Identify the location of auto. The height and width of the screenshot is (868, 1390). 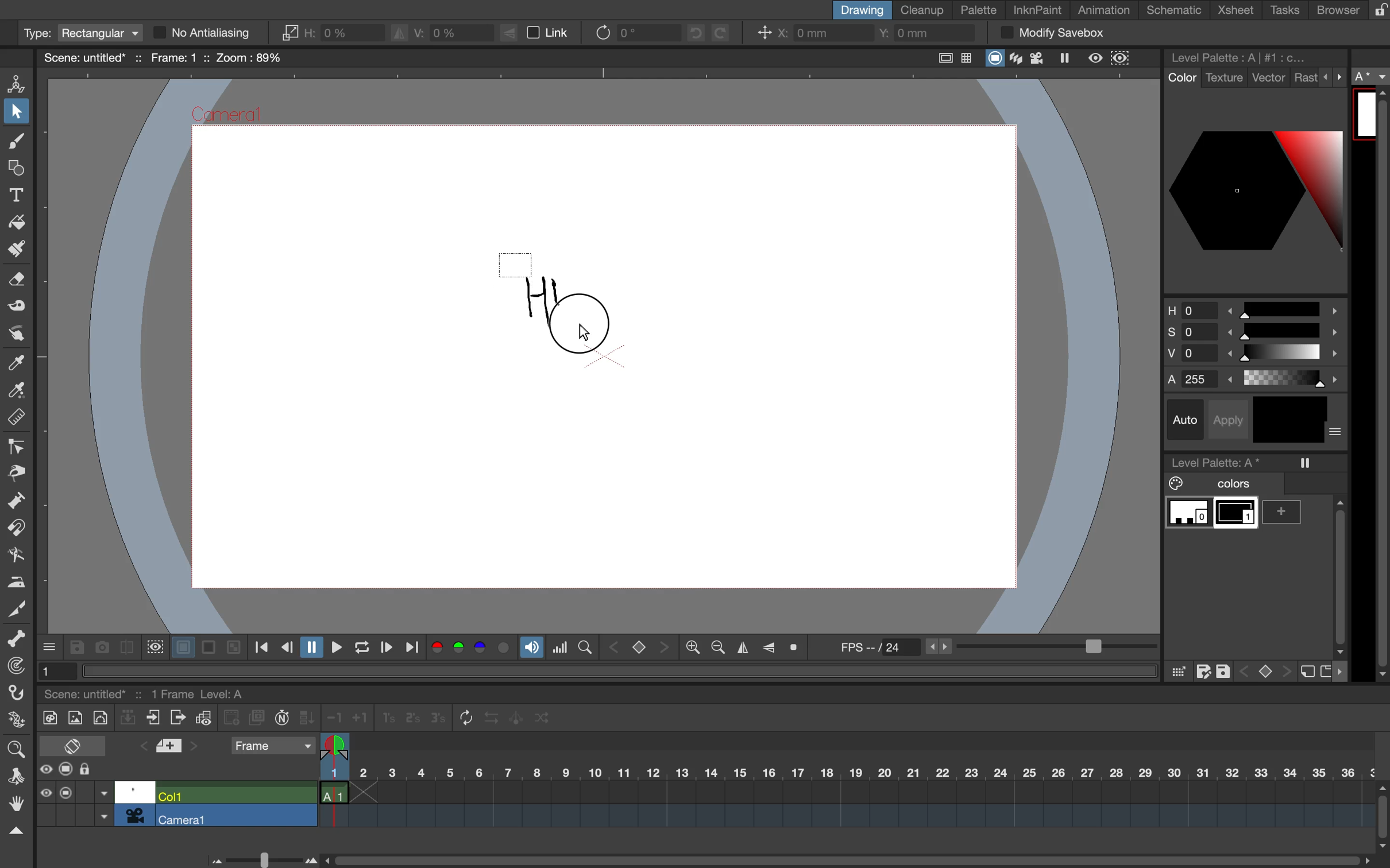
(1187, 420).